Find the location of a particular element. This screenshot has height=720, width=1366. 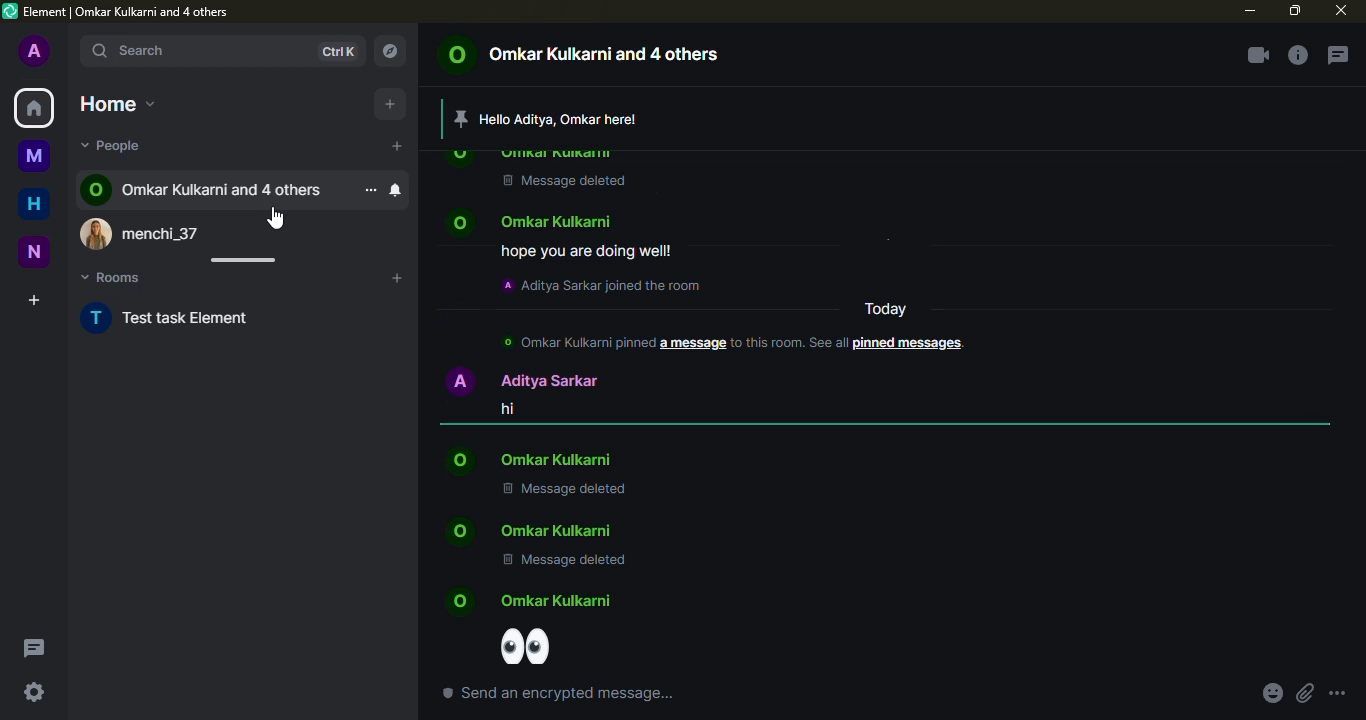

message deleted is located at coordinates (565, 490).